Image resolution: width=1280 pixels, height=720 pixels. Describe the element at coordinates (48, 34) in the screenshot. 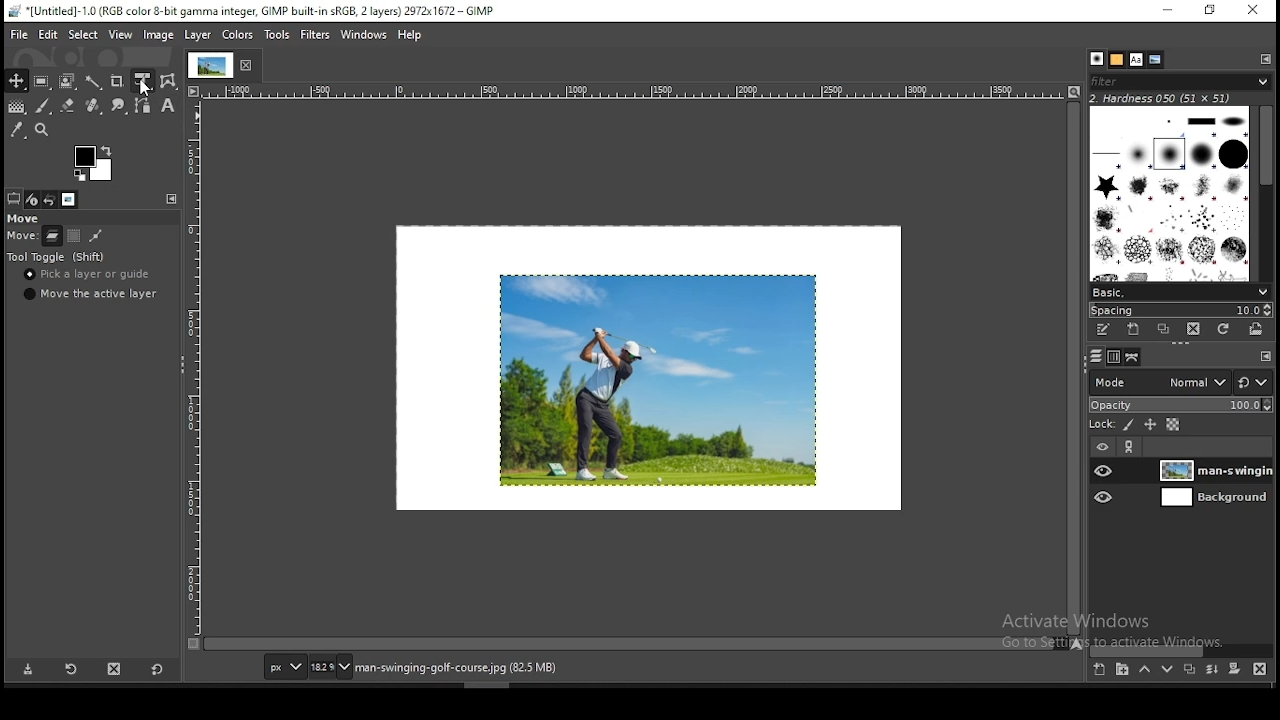

I see `edit` at that location.